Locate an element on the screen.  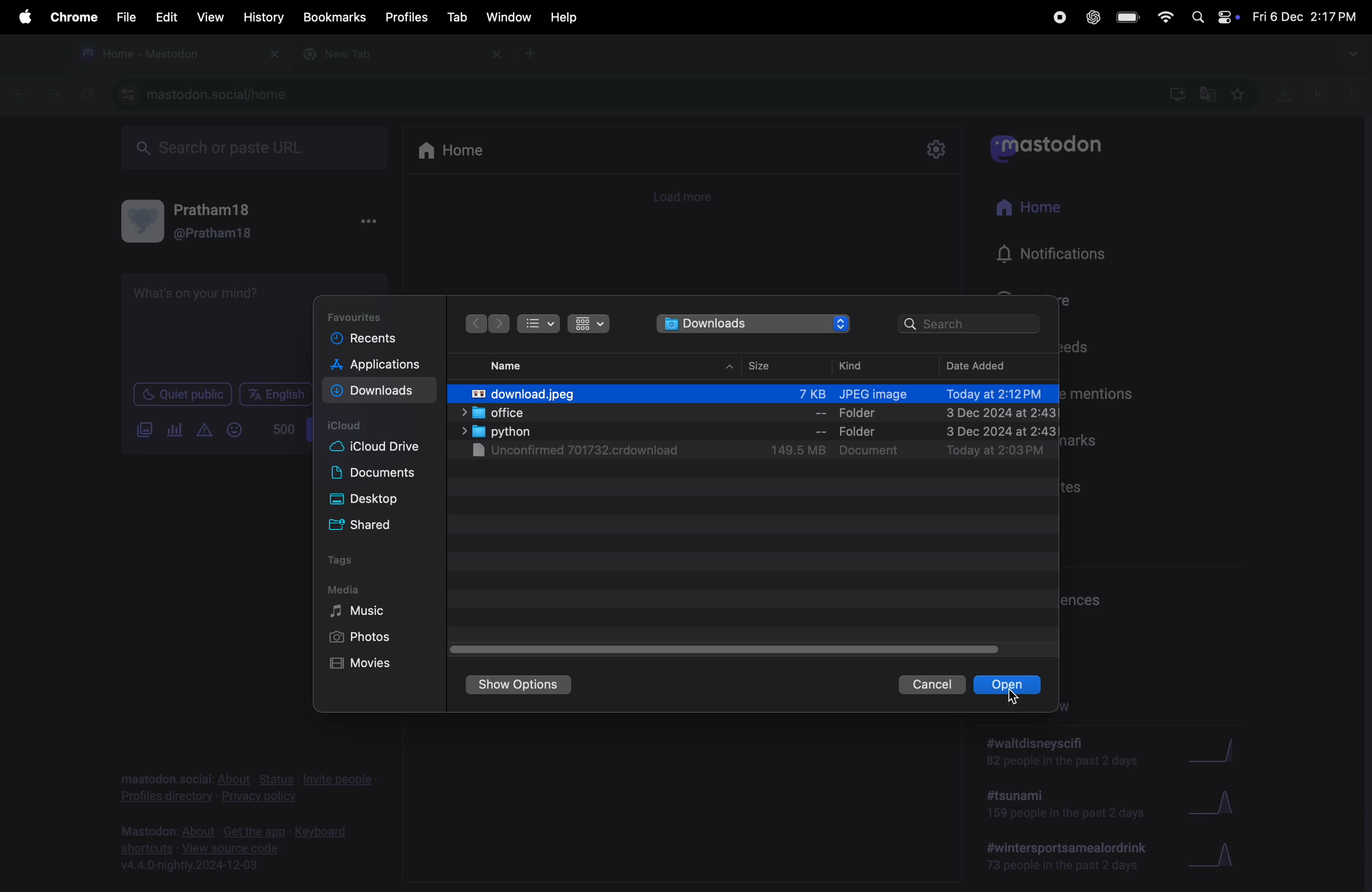
kind is located at coordinates (854, 362).